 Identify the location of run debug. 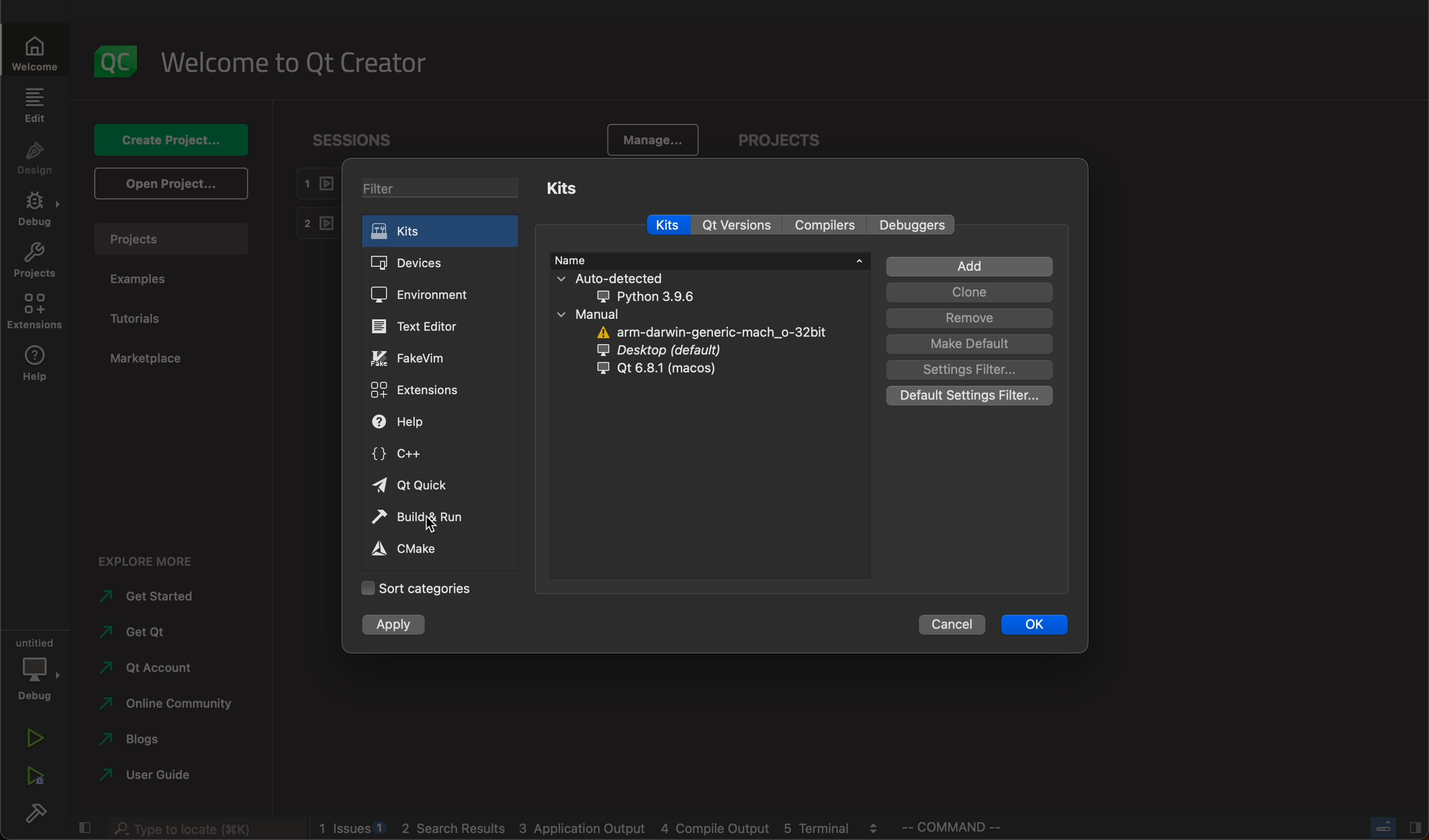
(34, 779).